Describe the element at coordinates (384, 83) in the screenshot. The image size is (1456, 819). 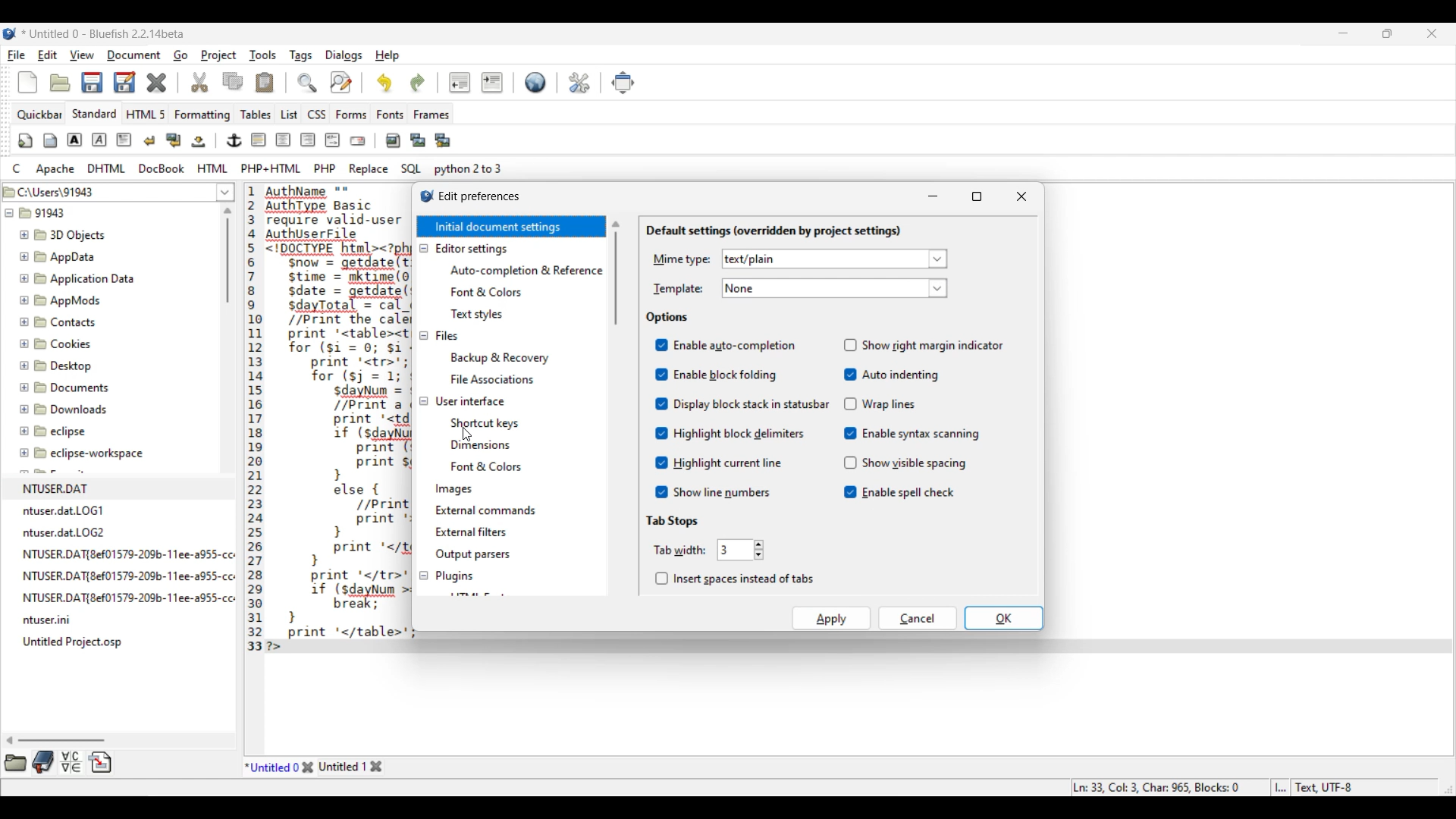
I see `Undo` at that location.